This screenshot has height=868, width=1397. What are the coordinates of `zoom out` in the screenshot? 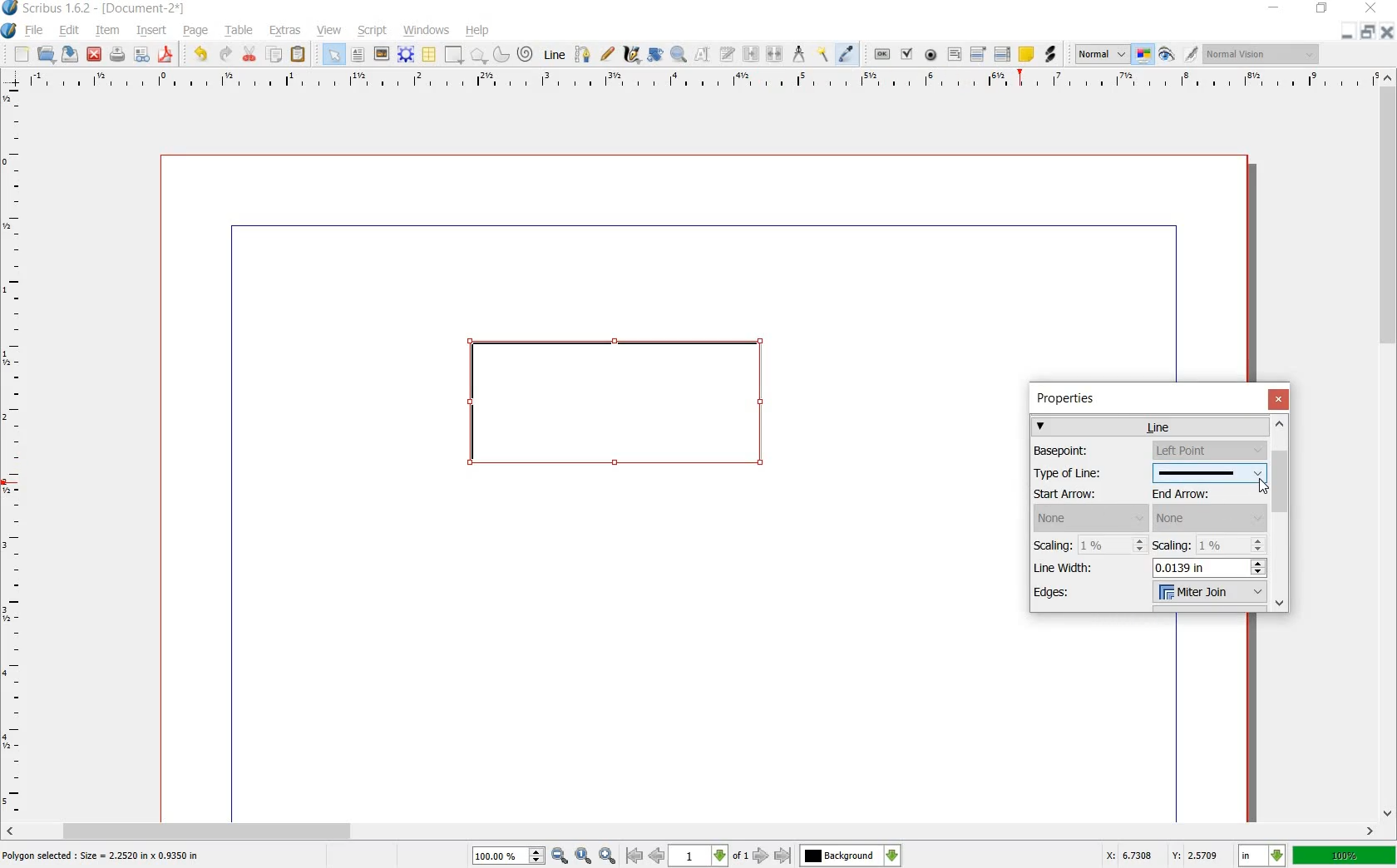 It's located at (560, 856).